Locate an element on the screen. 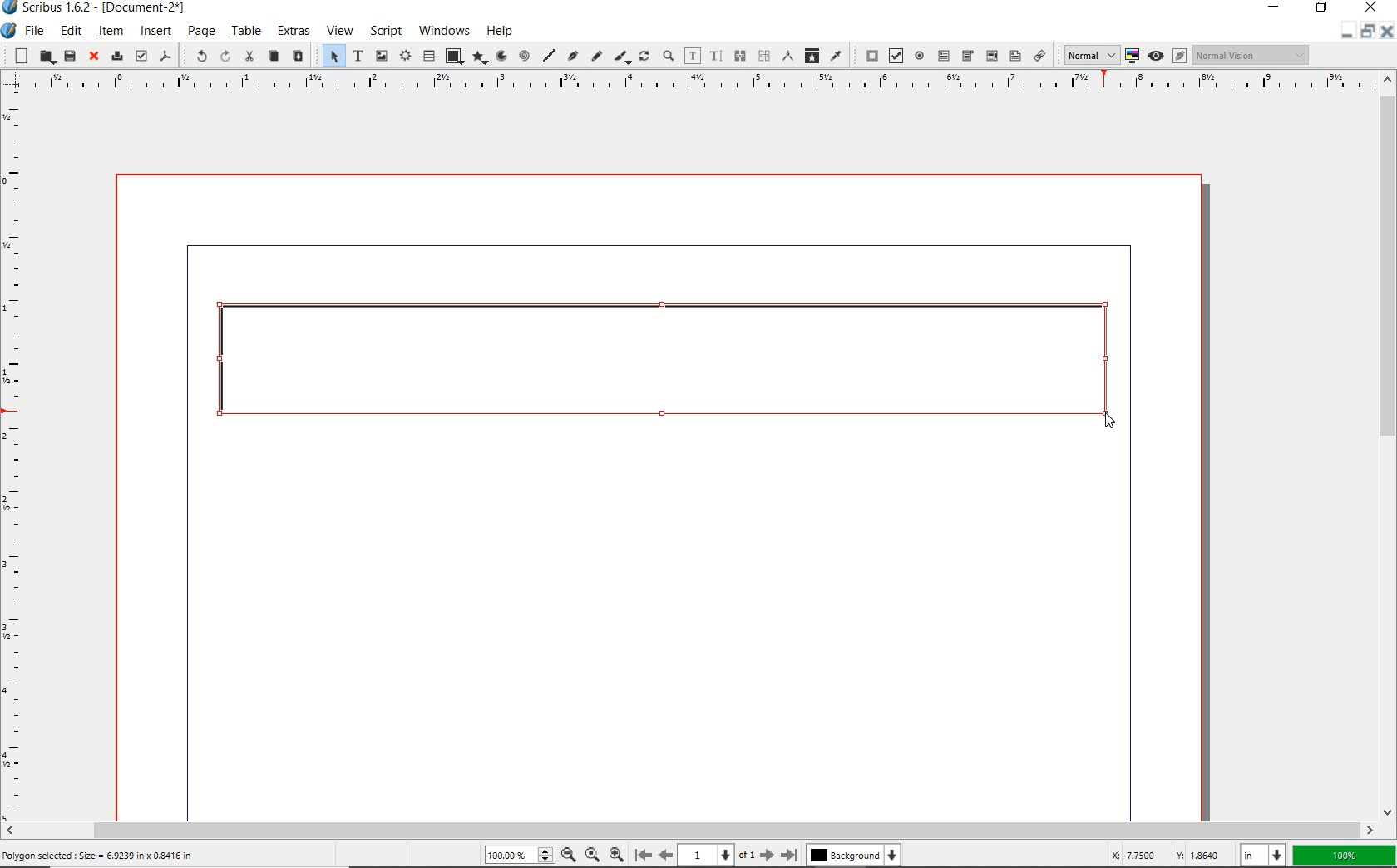 This screenshot has height=868, width=1397. pdf radio button is located at coordinates (919, 56).